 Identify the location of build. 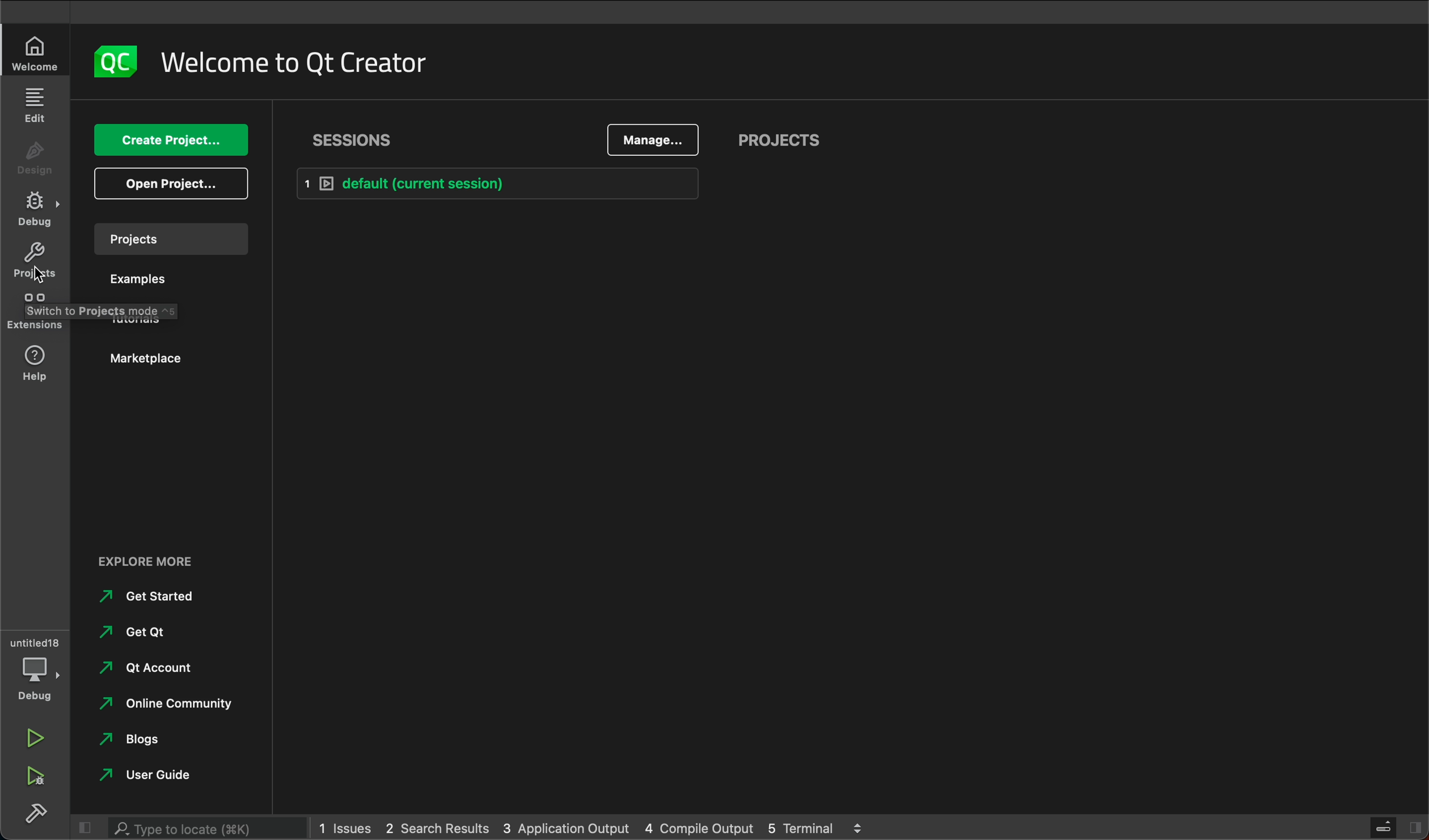
(41, 816).